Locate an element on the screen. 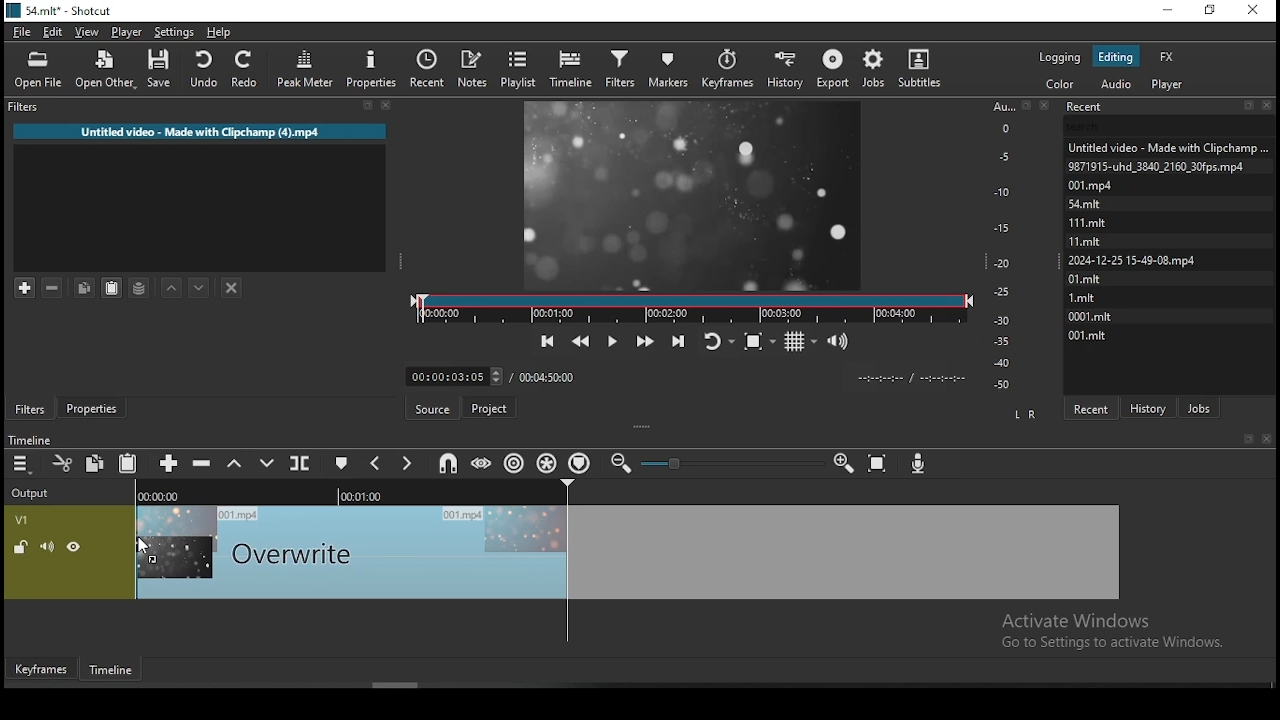 The image size is (1280, 720). cut is located at coordinates (63, 462).